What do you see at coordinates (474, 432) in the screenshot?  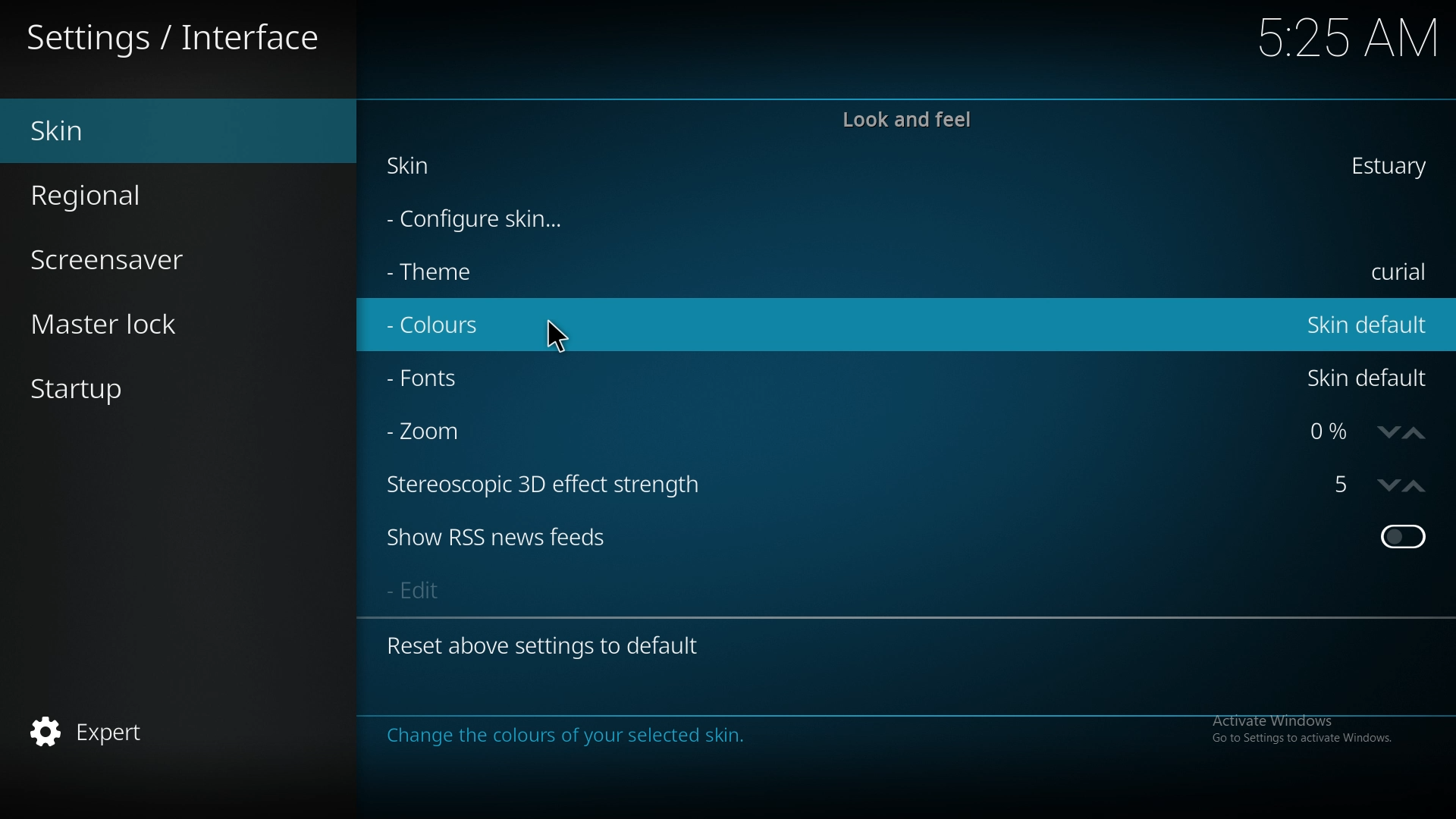 I see `zoom` at bounding box center [474, 432].